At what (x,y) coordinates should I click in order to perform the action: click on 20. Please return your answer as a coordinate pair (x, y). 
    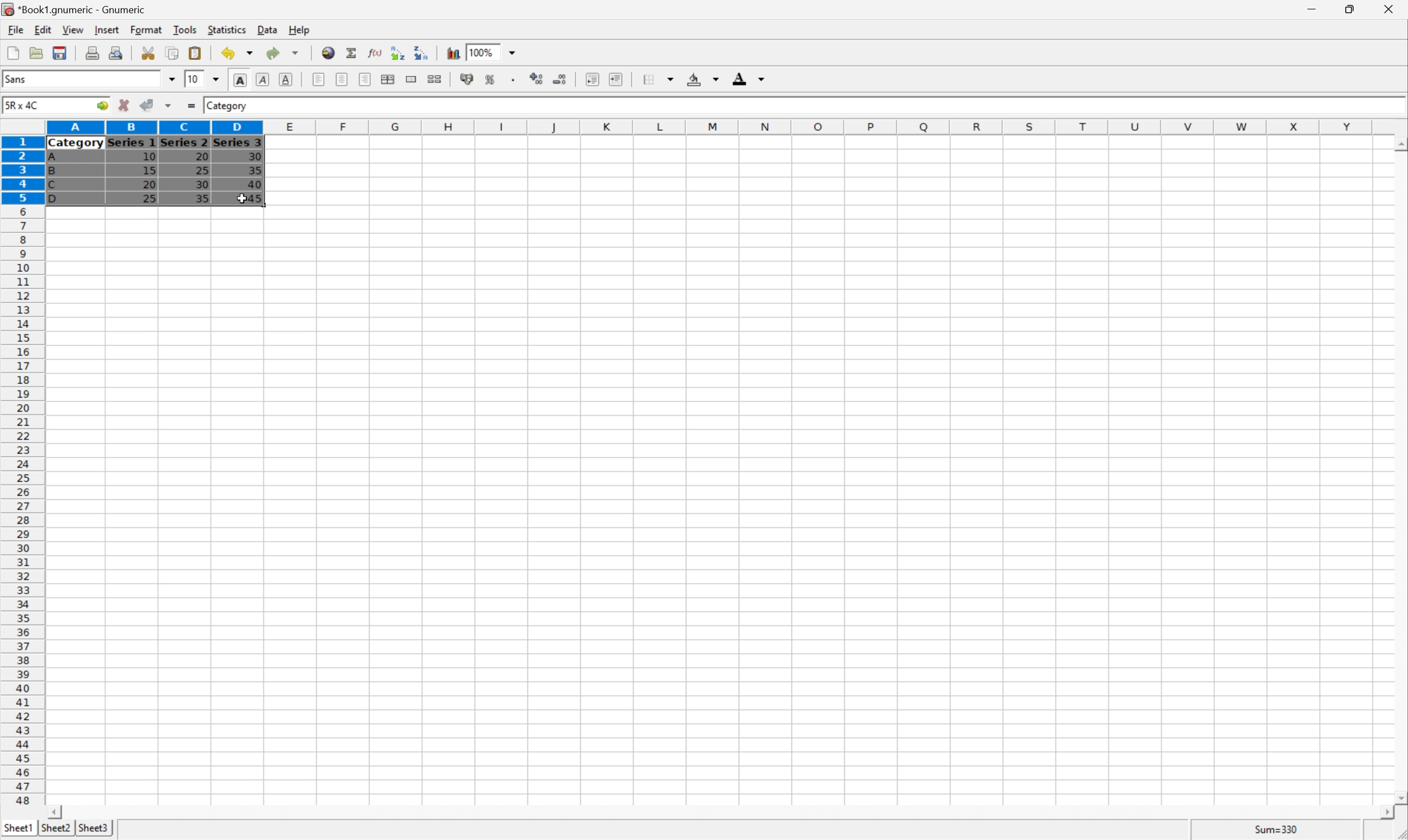
    Looking at the image, I should click on (200, 155).